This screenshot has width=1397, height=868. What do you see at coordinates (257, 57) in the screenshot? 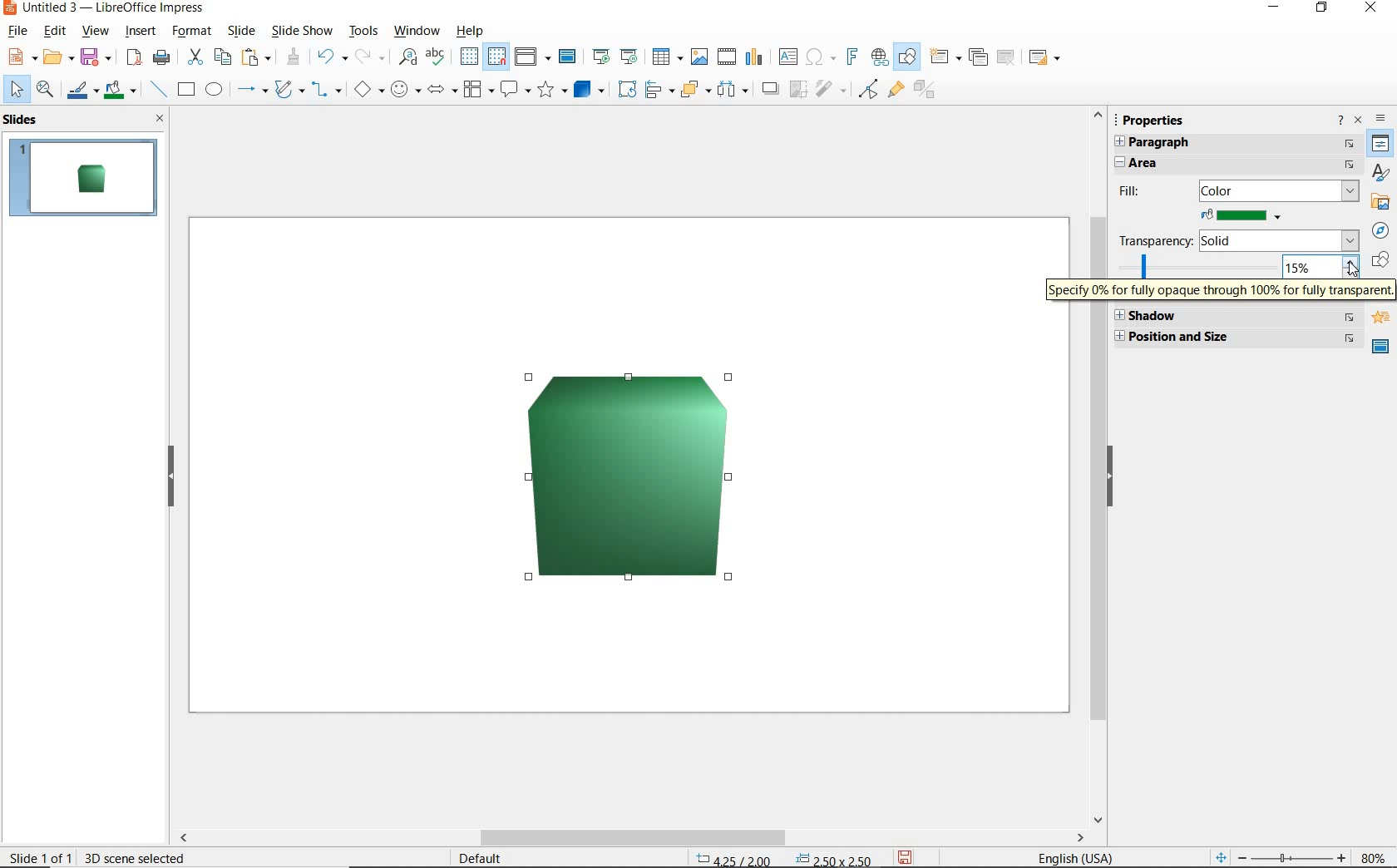
I see `paste` at bounding box center [257, 57].